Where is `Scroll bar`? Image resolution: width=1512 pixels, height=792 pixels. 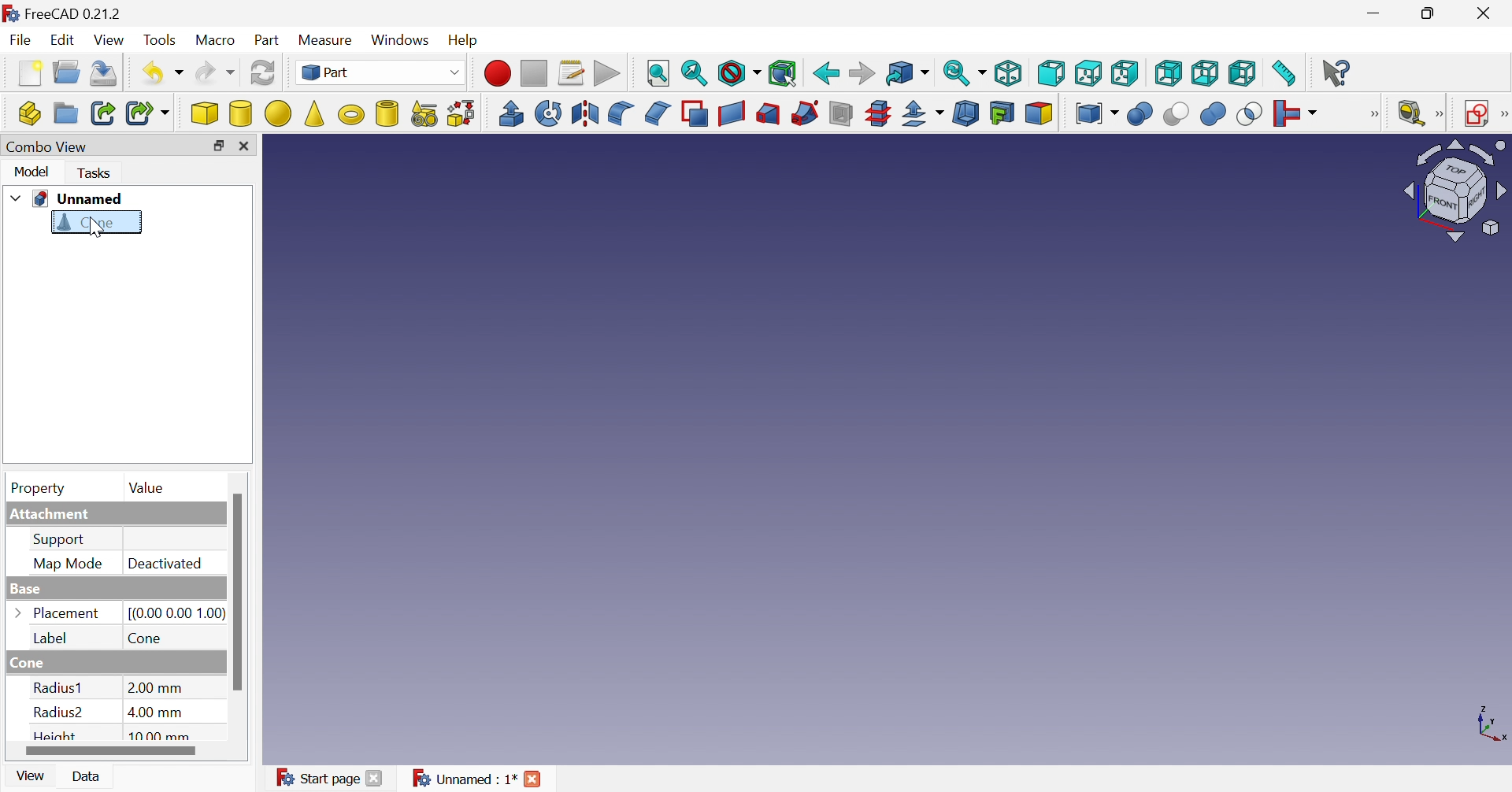
Scroll bar is located at coordinates (237, 590).